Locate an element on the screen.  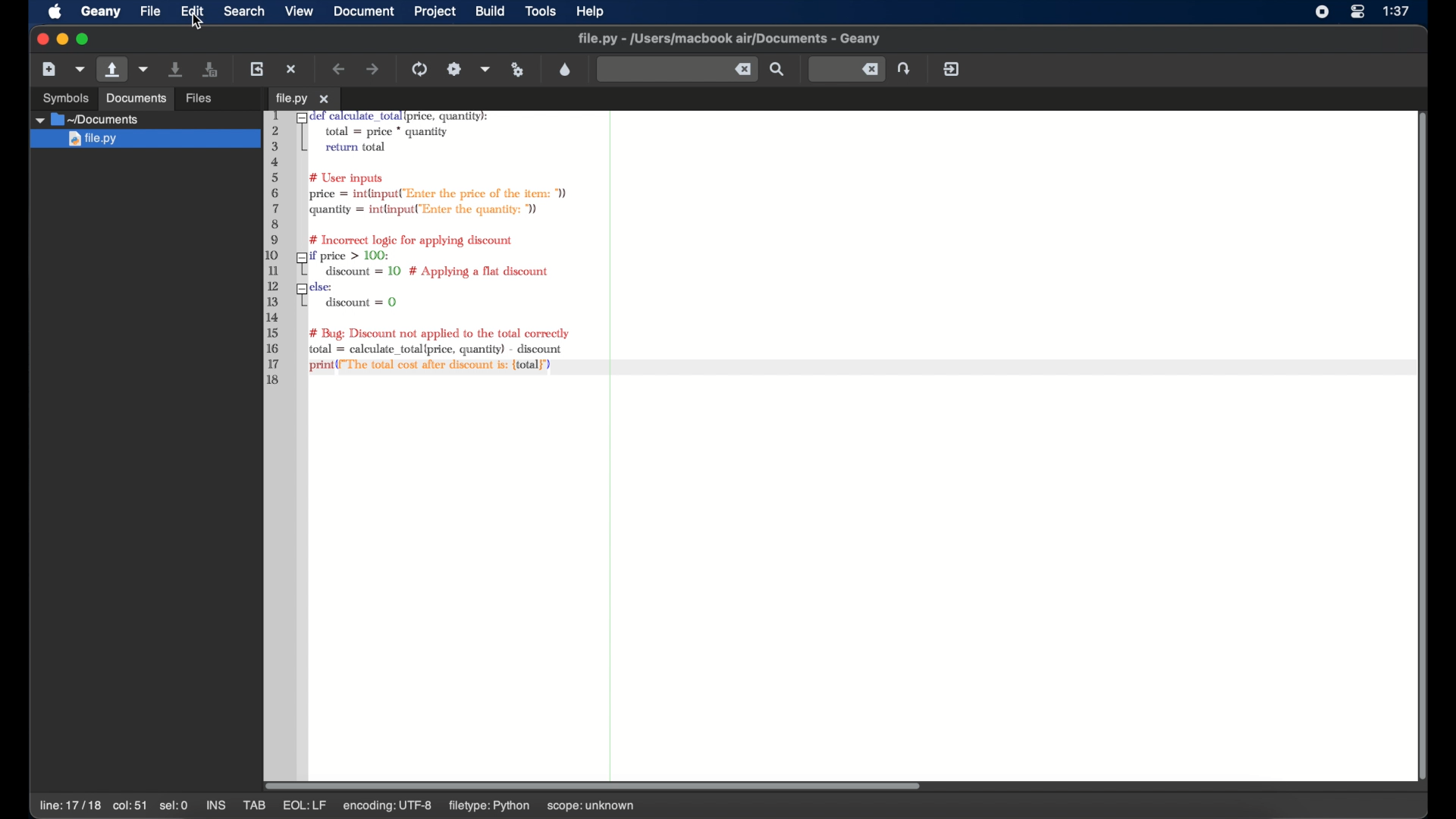
file is located at coordinates (150, 11).